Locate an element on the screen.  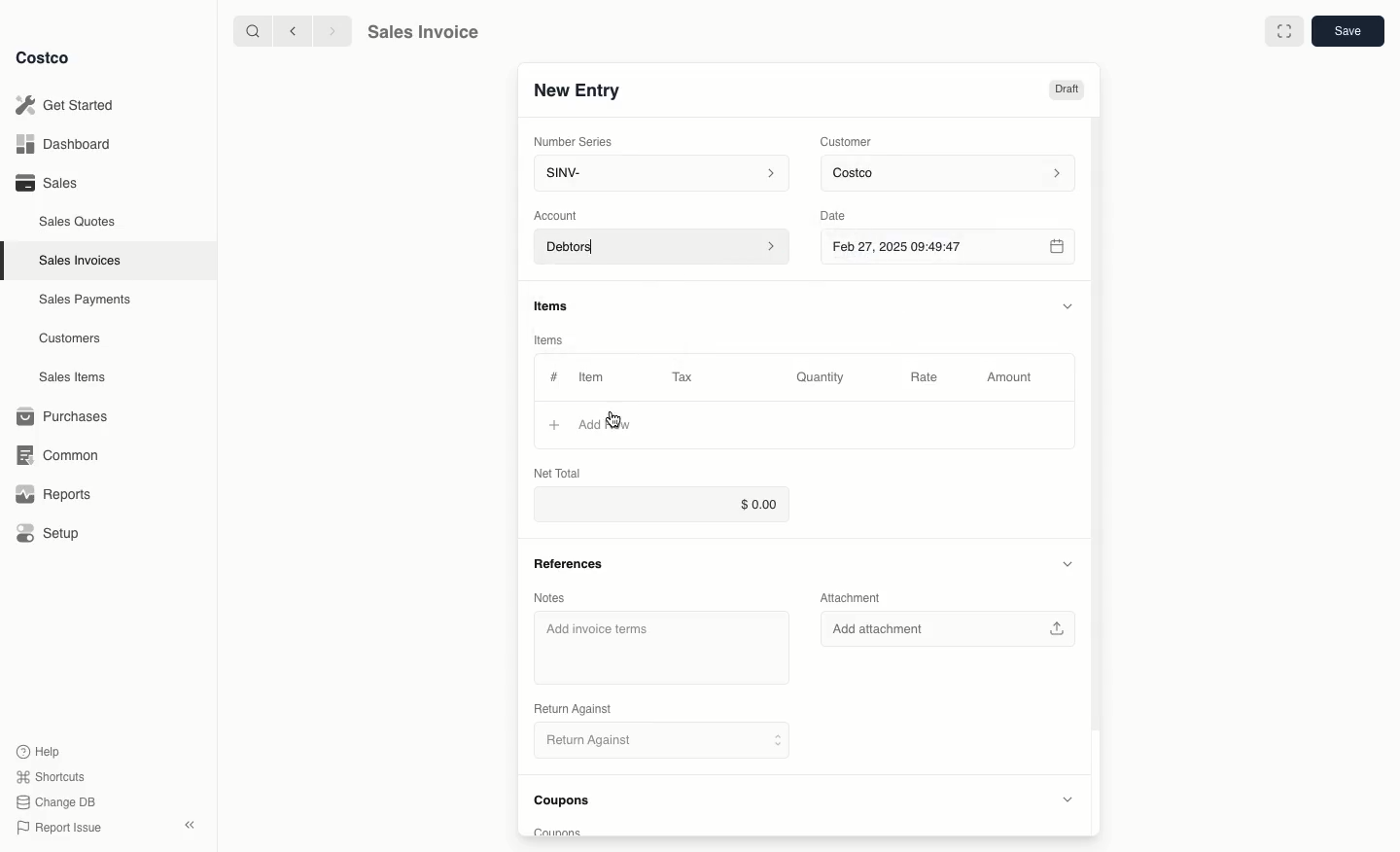
New Entry is located at coordinates (577, 90).